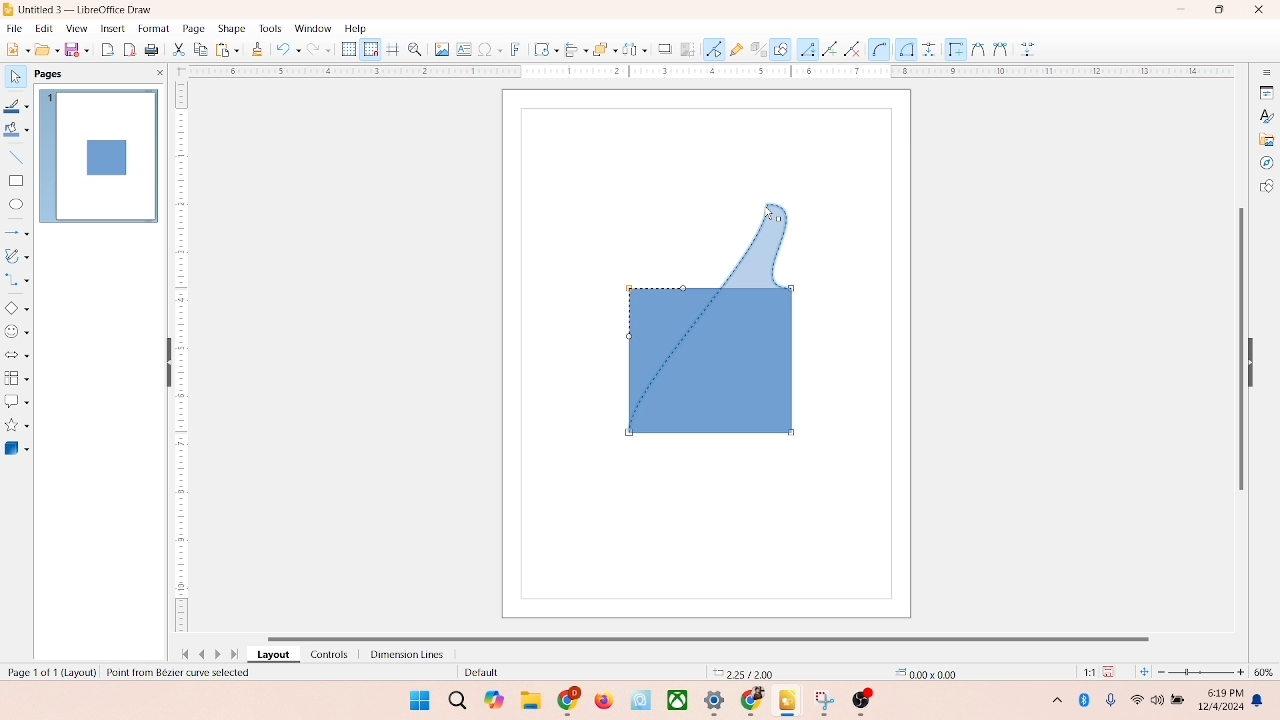  I want to click on window, so click(312, 29).